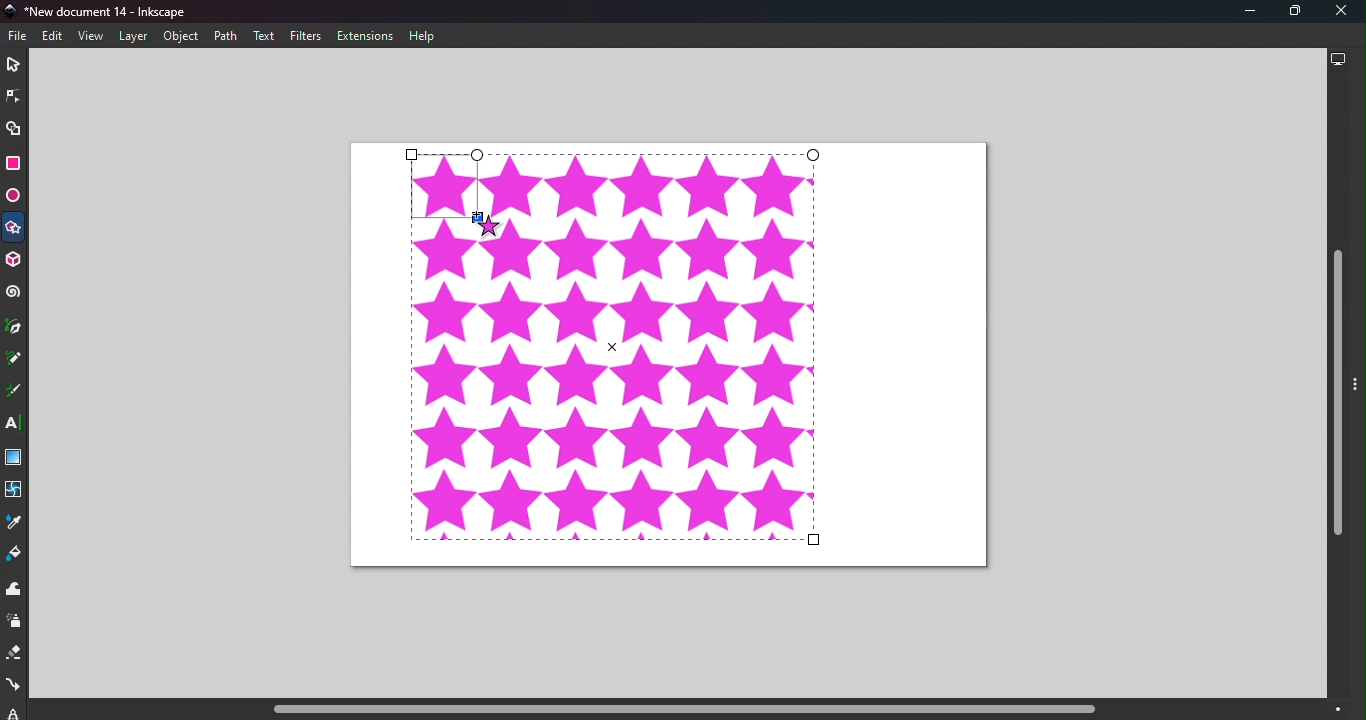 This screenshot has height=720, width=1366. Describe the element at coordinates (14, 360) in the screenshot. I see `Pencil tool` at that location.